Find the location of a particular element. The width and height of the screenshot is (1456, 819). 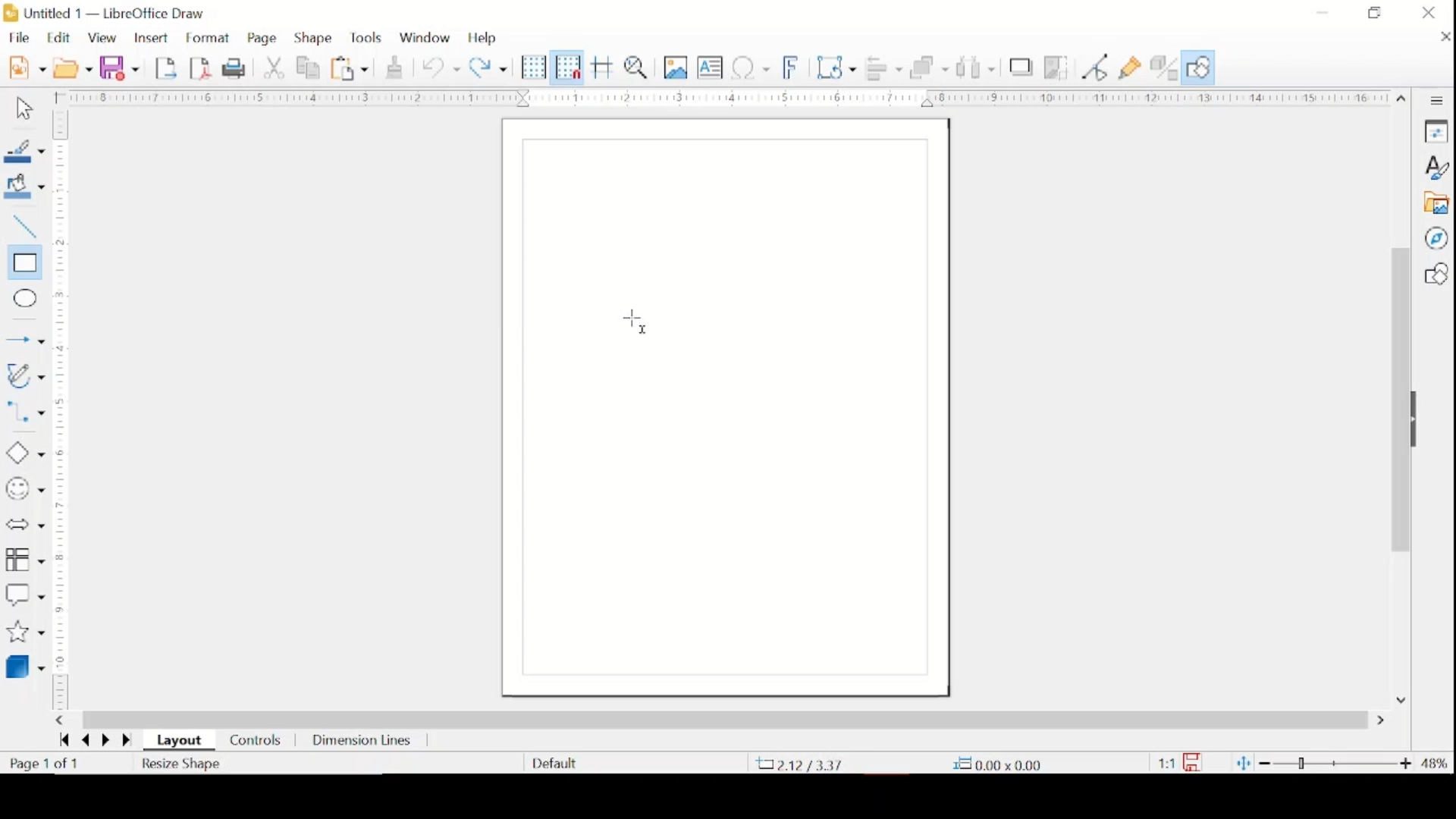

scroll box is located at coordinates (1399, 403).